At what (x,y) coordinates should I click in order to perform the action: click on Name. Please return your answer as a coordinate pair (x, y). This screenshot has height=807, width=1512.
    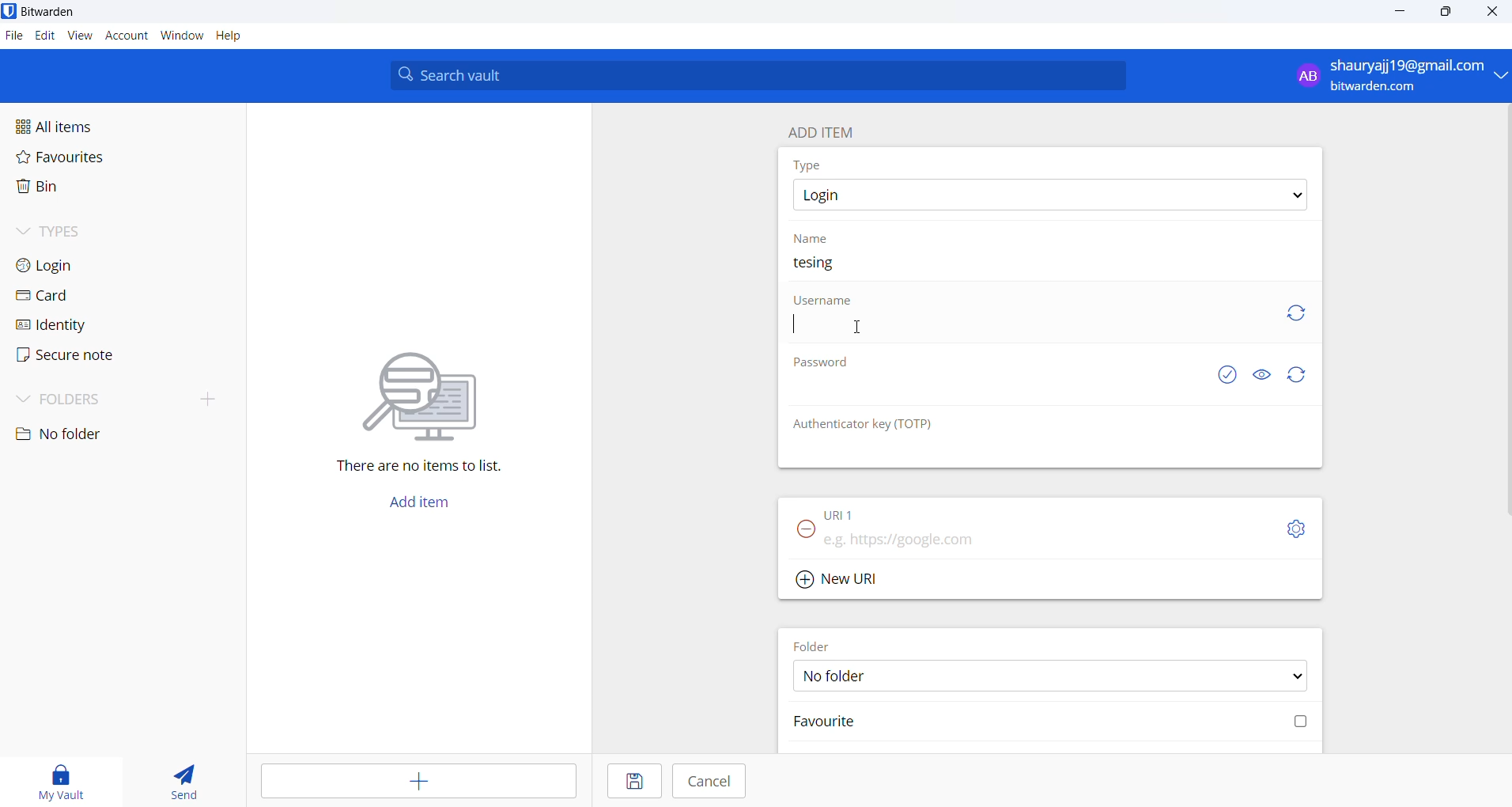
    Looking at the image, I should click on (815, 237).